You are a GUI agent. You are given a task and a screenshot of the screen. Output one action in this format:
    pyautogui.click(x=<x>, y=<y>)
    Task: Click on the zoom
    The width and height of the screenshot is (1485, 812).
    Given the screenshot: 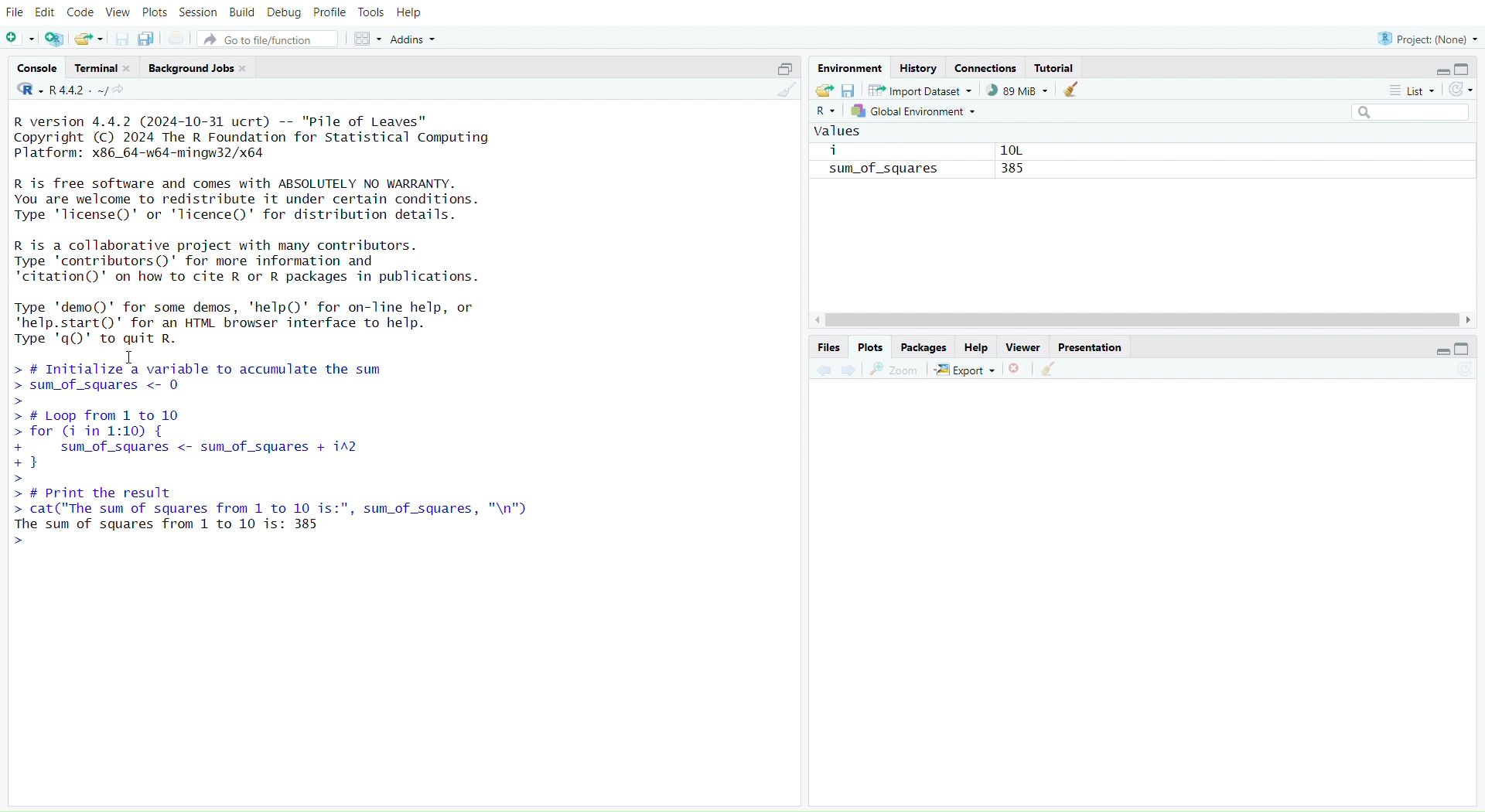 What is the action you would take?
    pyautogui.click(x=894, y=371)
    